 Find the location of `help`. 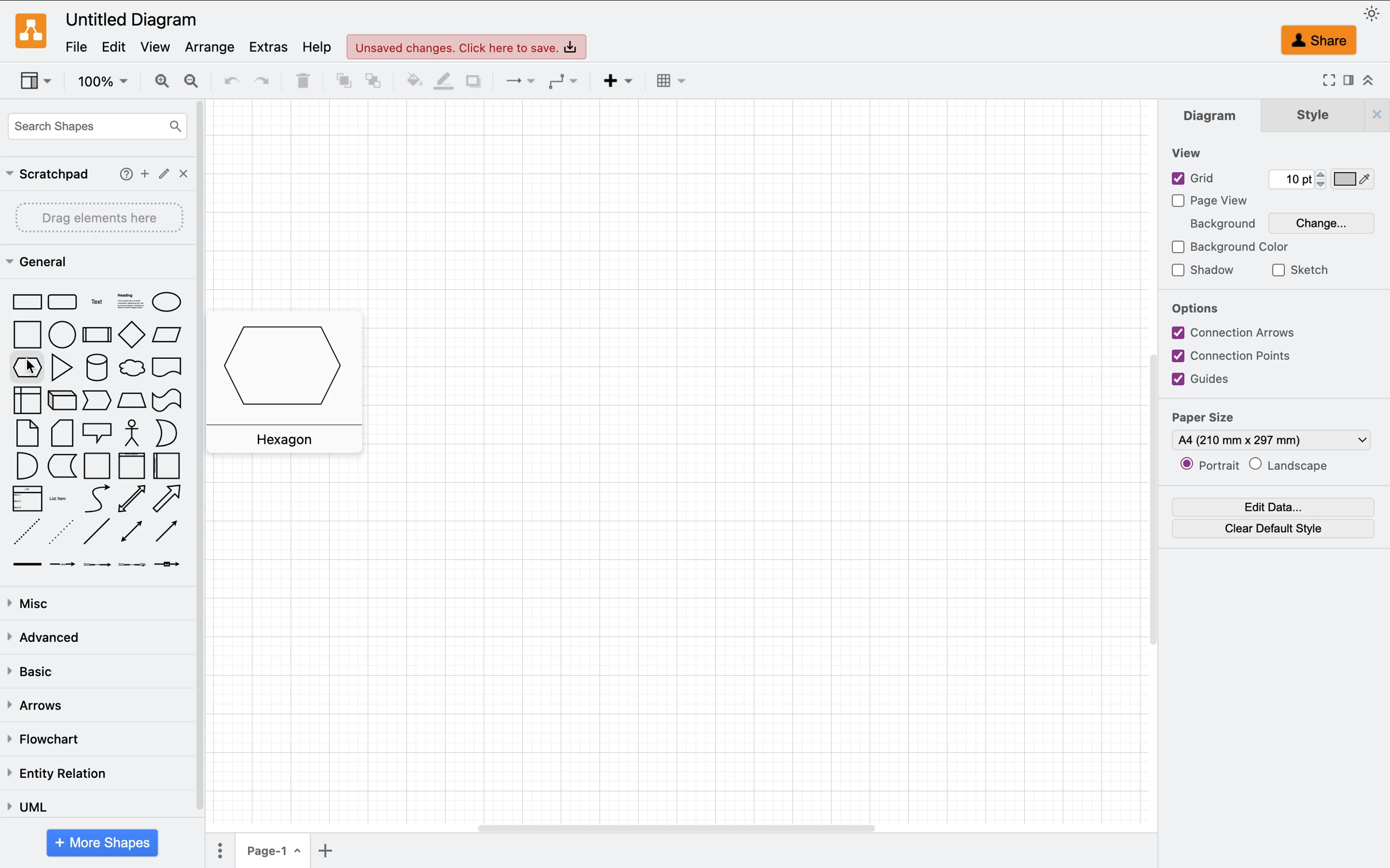

help is located at coordinates (122, 173).